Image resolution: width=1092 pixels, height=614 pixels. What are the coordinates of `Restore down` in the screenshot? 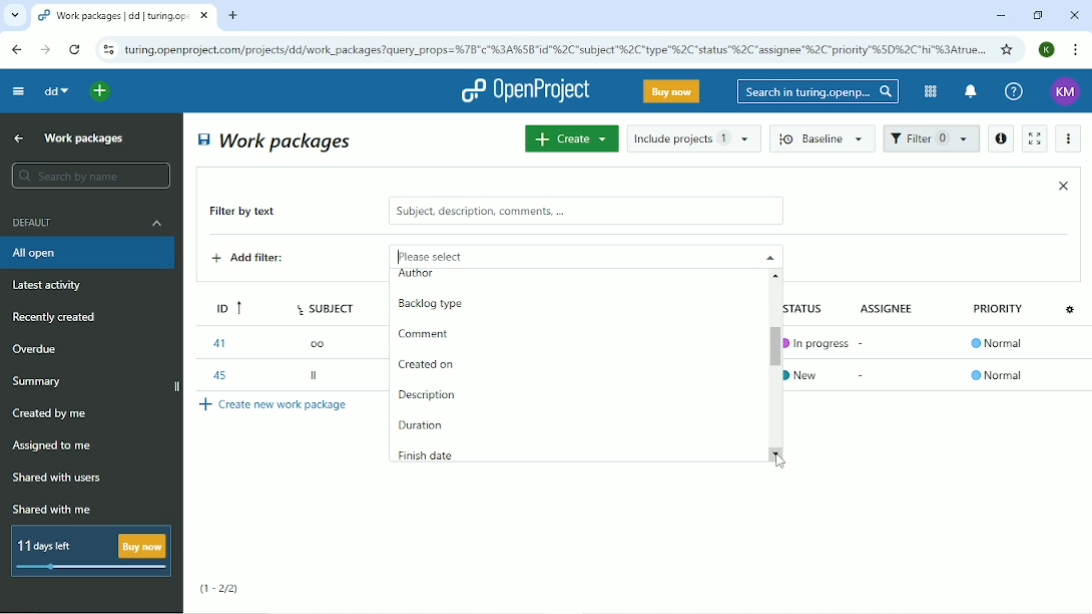 It's located at (1037, 15).